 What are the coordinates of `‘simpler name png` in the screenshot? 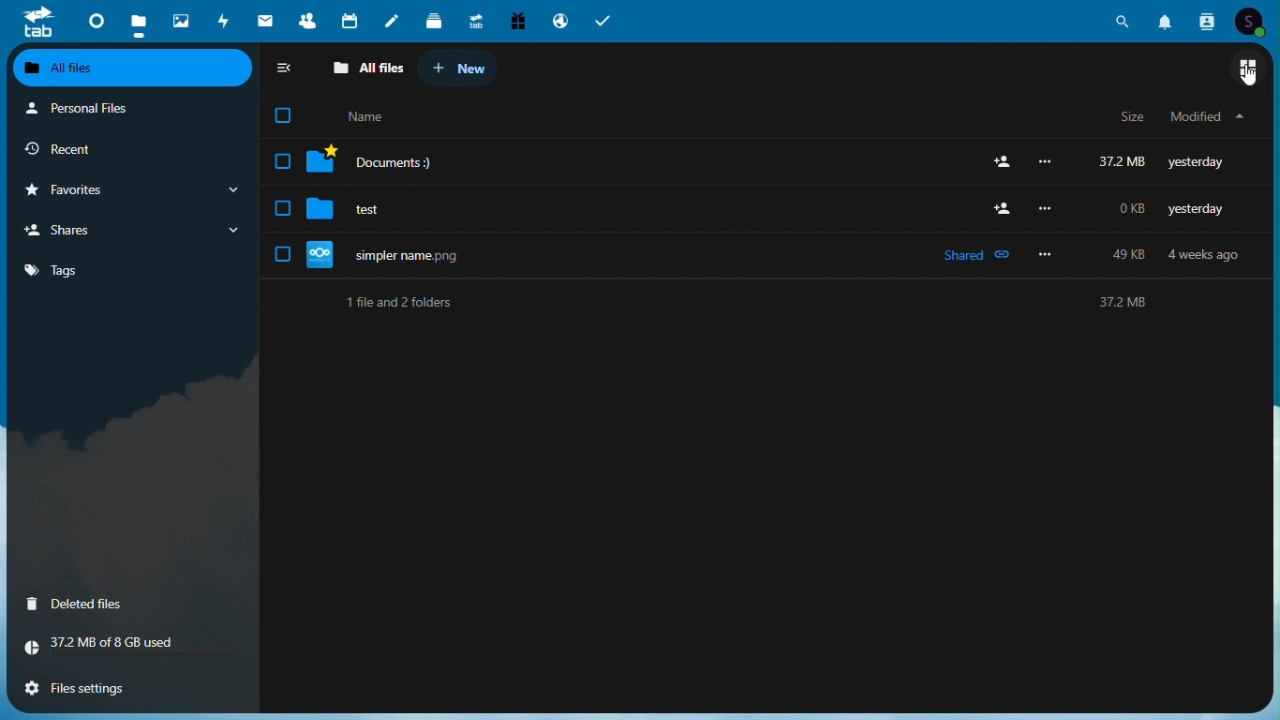 It's located at (758, 254).